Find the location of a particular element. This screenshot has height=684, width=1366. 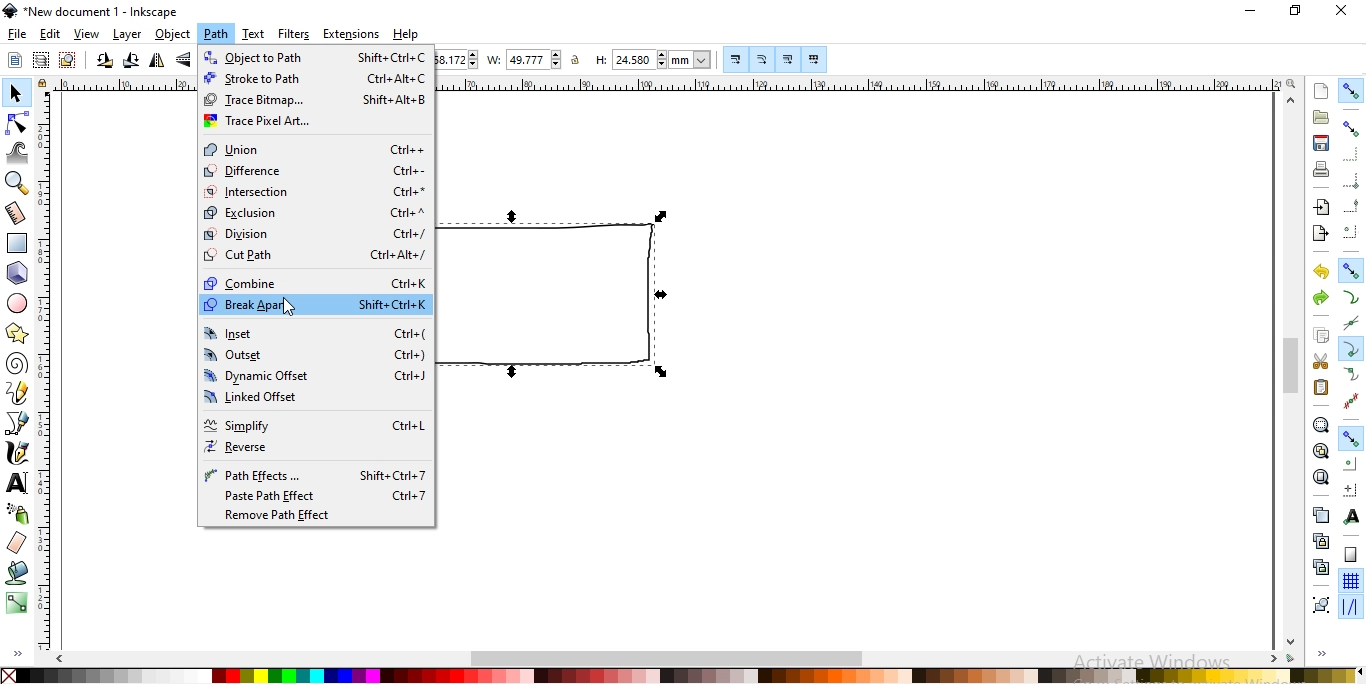

dynamic offset is located at coordinates (317, 378).